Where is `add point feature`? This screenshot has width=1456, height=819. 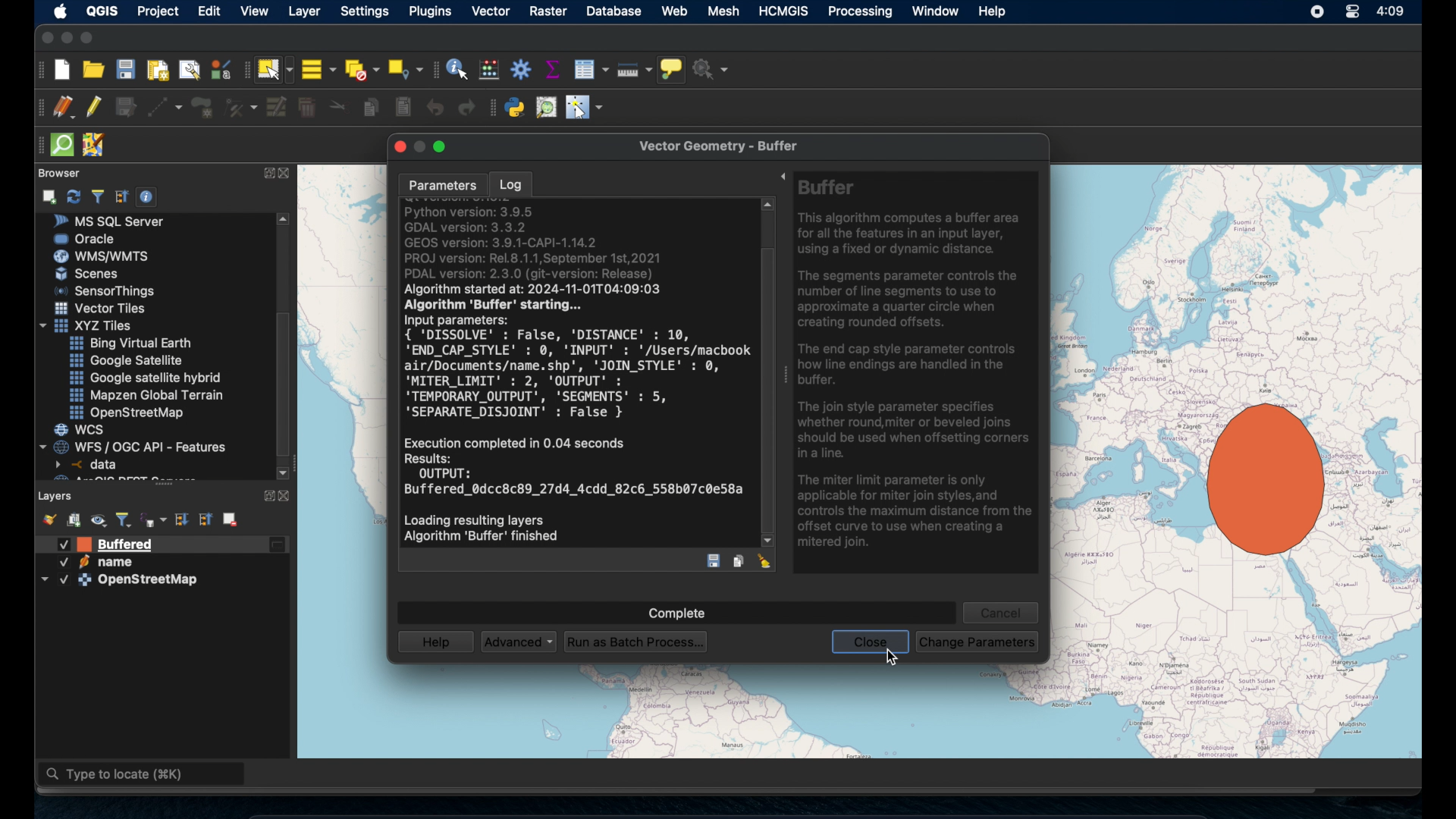 add point feature is located at coordinates (203, 106).